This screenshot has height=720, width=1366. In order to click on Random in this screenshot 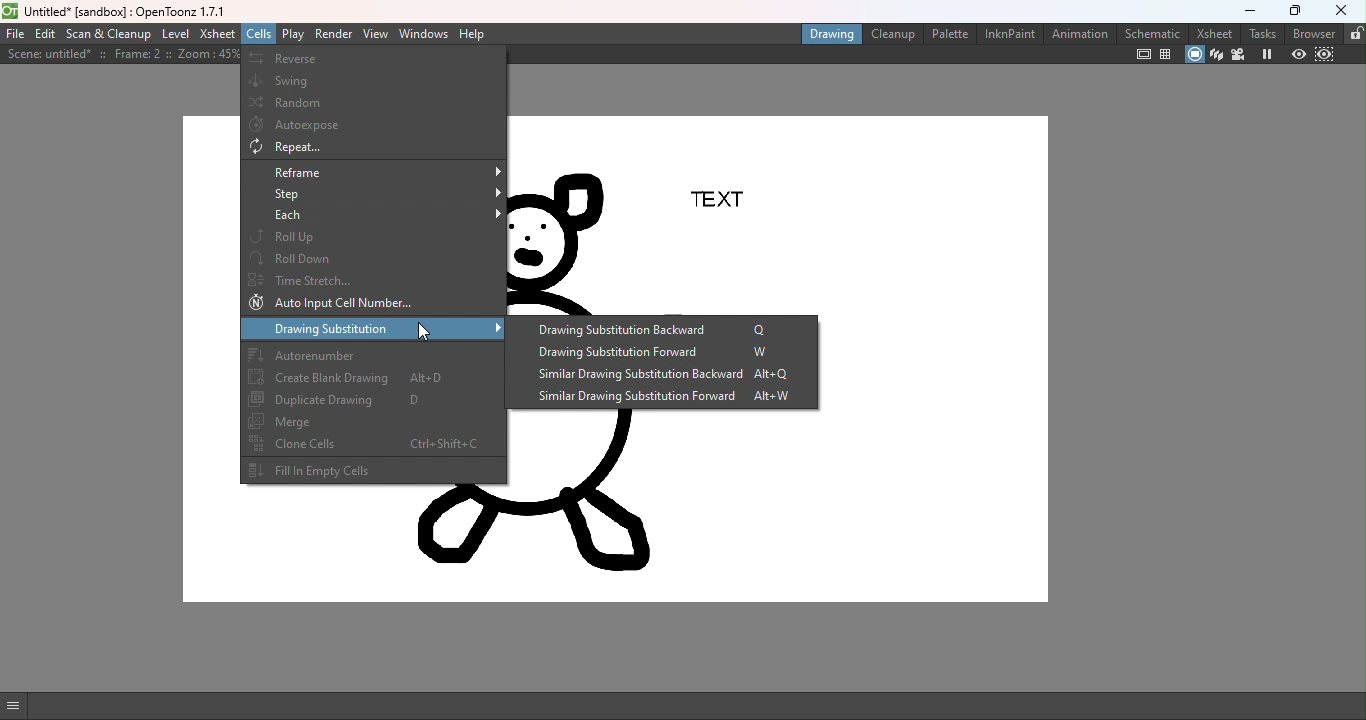, I will do `click(374, 103)`.